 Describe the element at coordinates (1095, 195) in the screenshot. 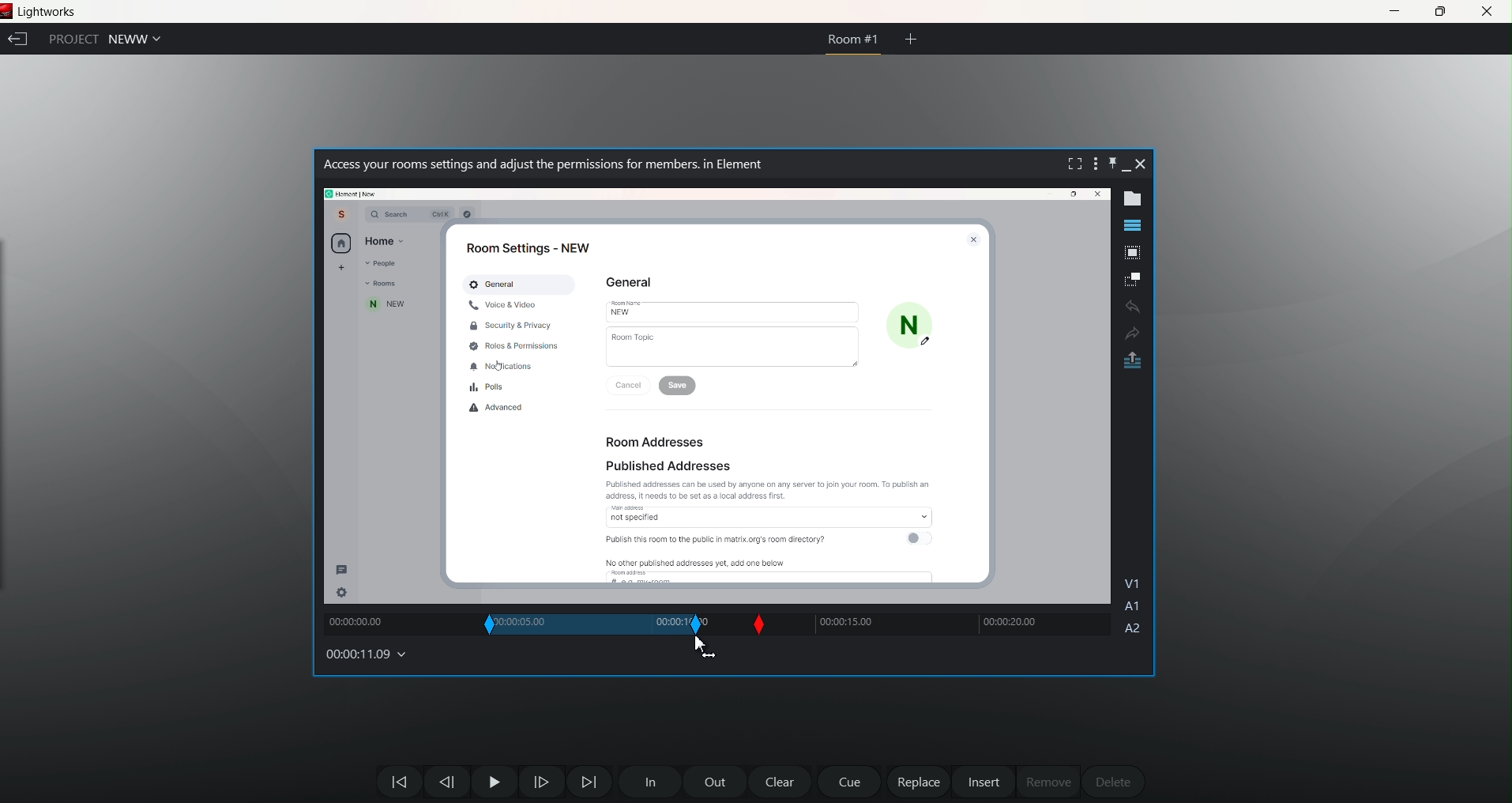

I see `close` at that location.